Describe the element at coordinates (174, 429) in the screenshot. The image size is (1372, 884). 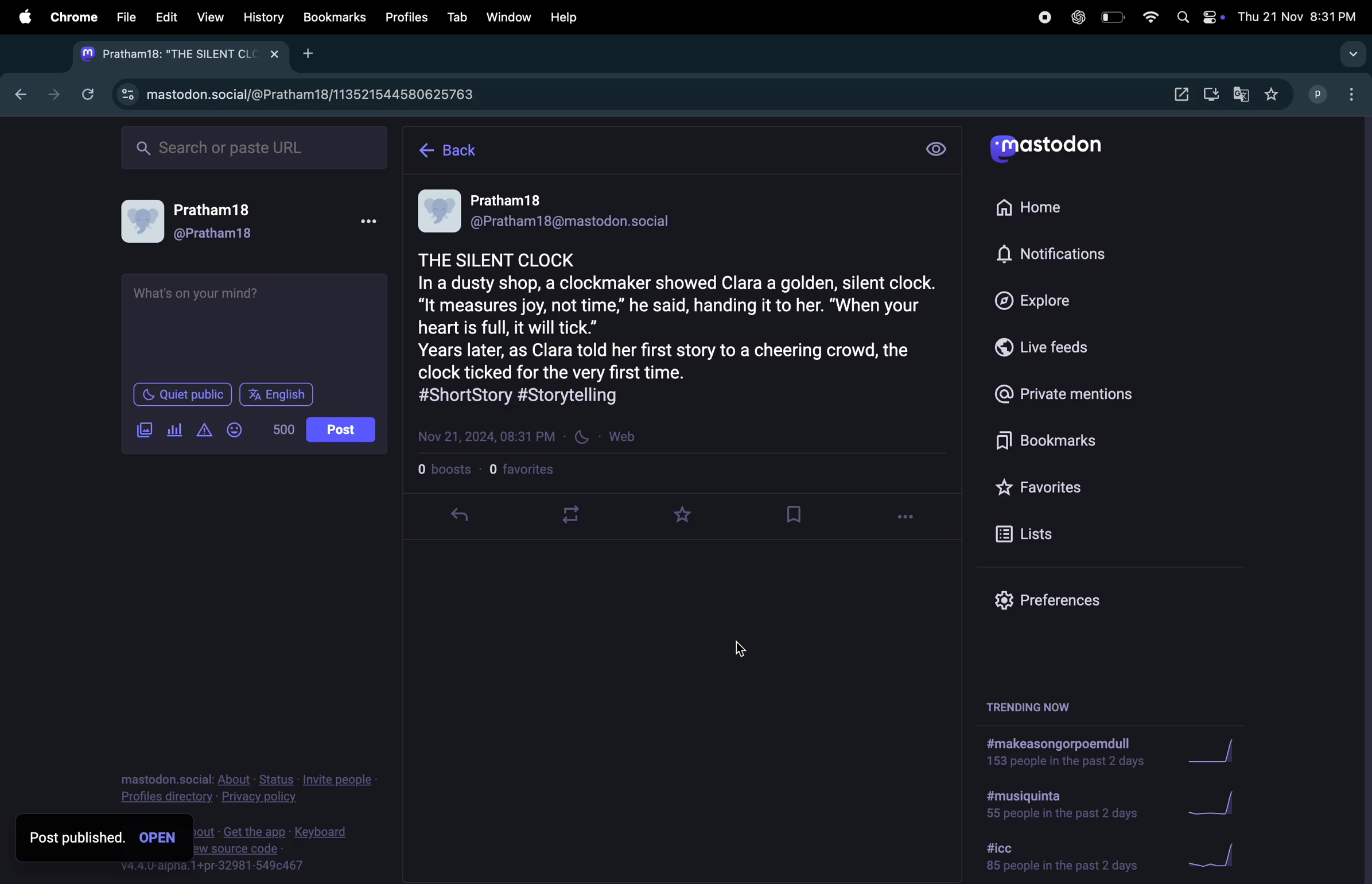
I see `add poll` at that location.